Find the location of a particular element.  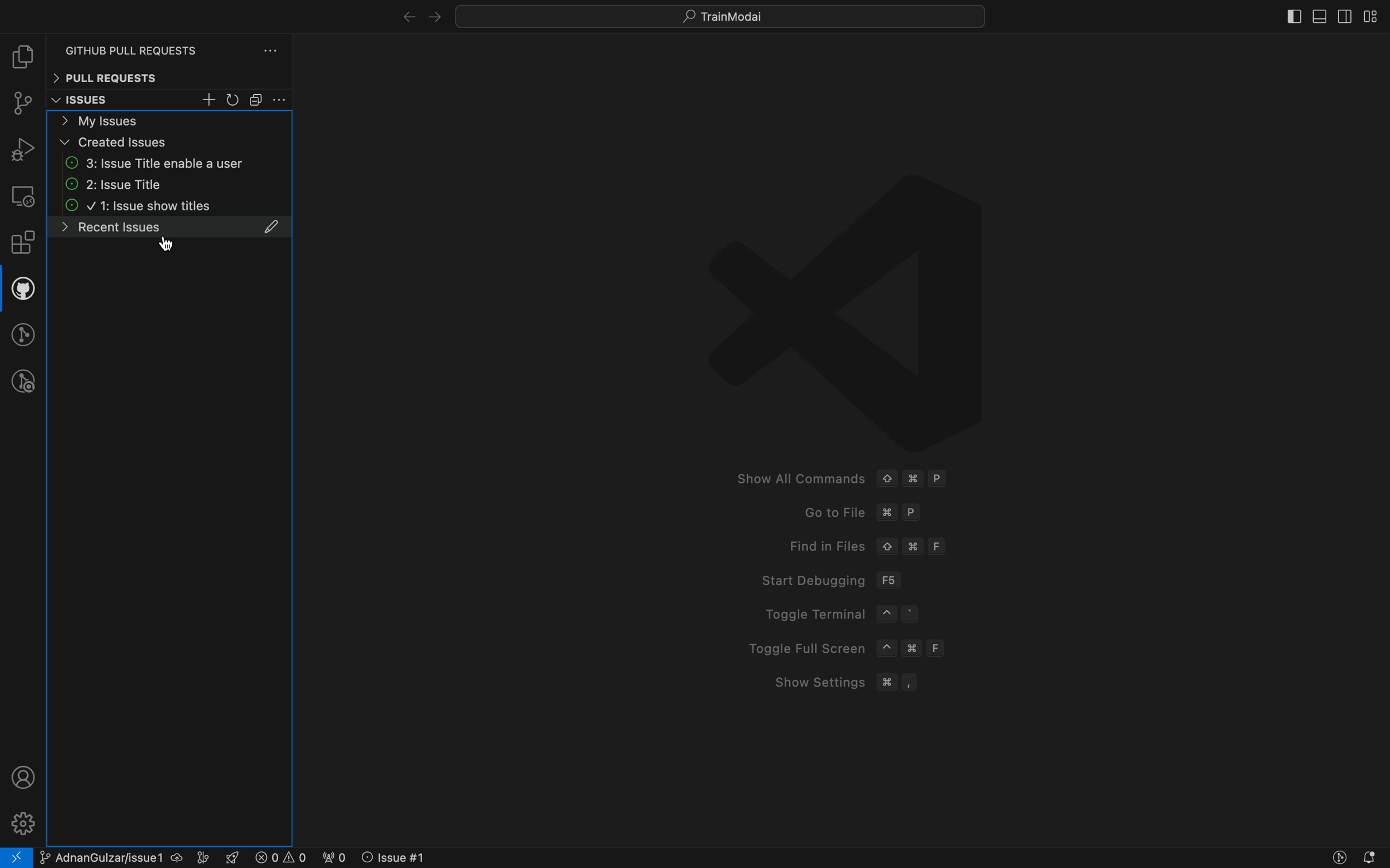

toggle primary is located at coordinates (1320, 14).